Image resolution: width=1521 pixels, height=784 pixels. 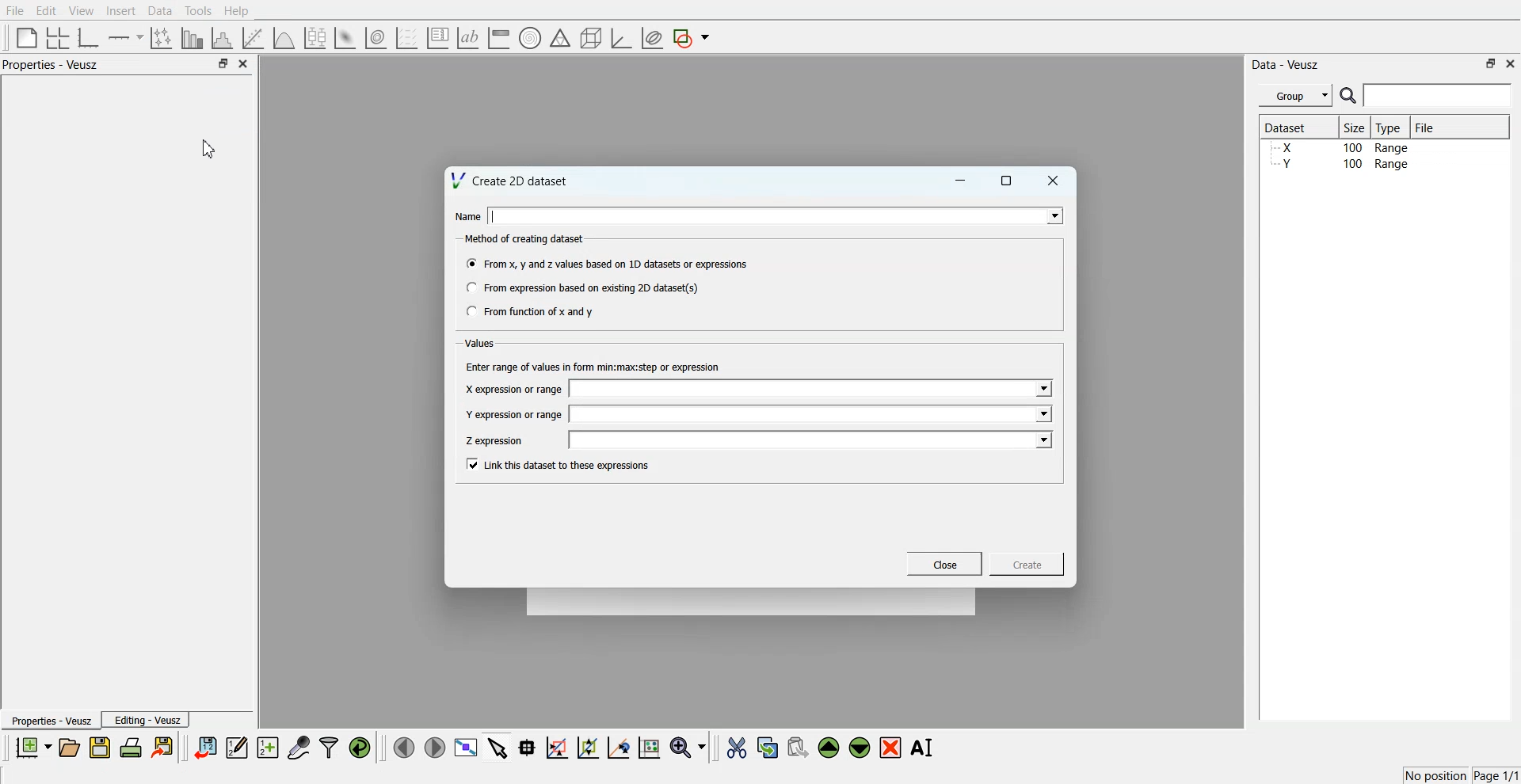 I want to click on Open the document, so click(x=68, y=748).